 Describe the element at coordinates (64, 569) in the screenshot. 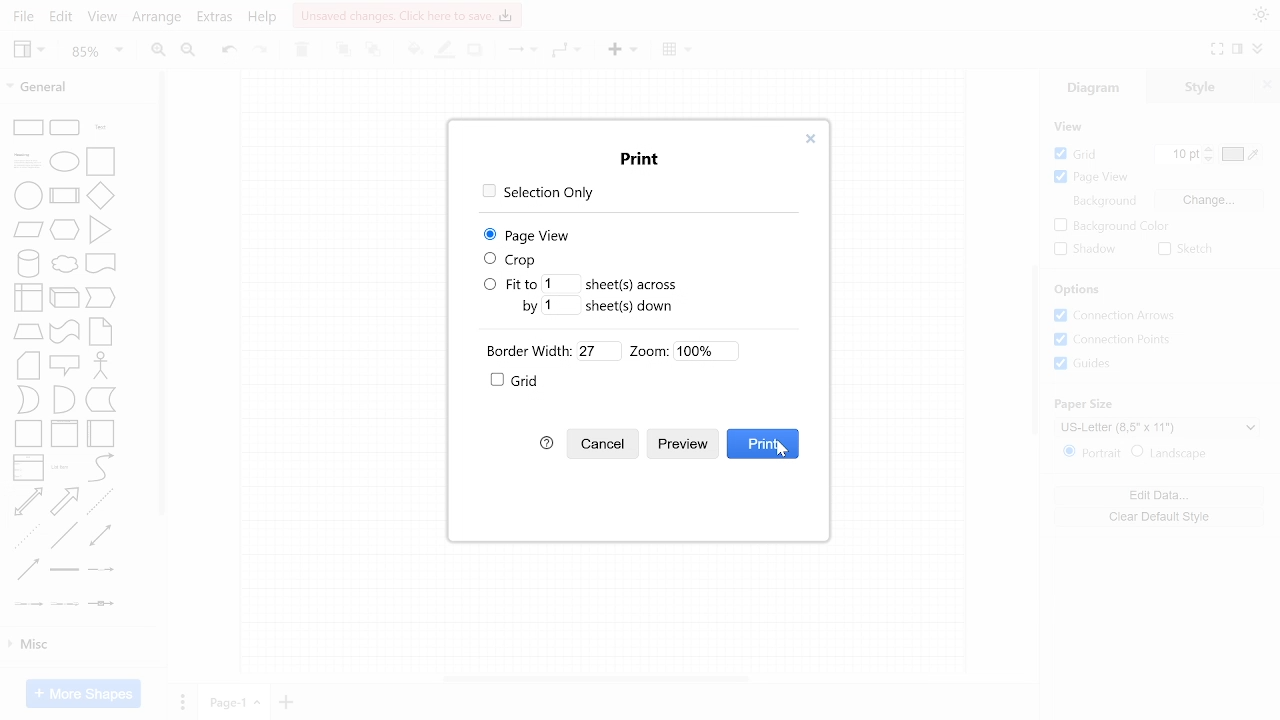

I see `Link` at that location.